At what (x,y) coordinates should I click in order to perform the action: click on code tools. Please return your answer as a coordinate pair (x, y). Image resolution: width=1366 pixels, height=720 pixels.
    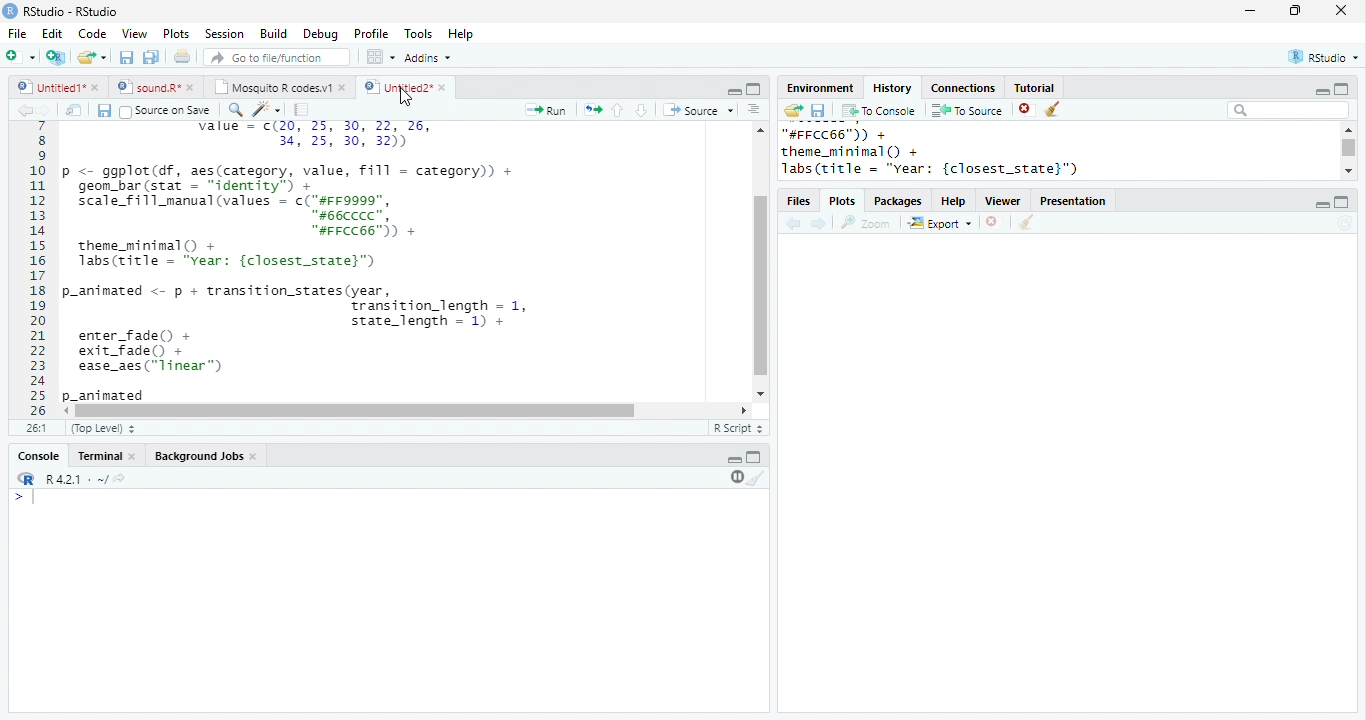
    Looking at the image, I should click on (266, 109).